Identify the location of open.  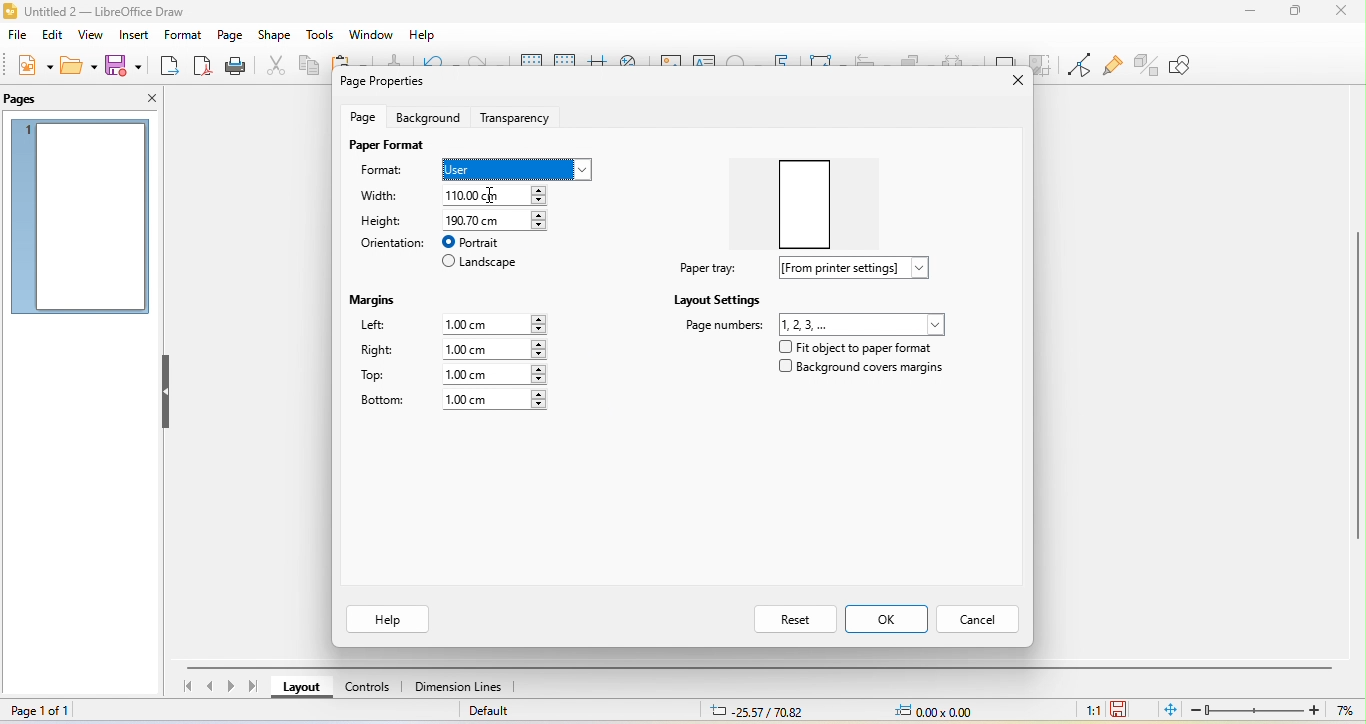
(77, 65).